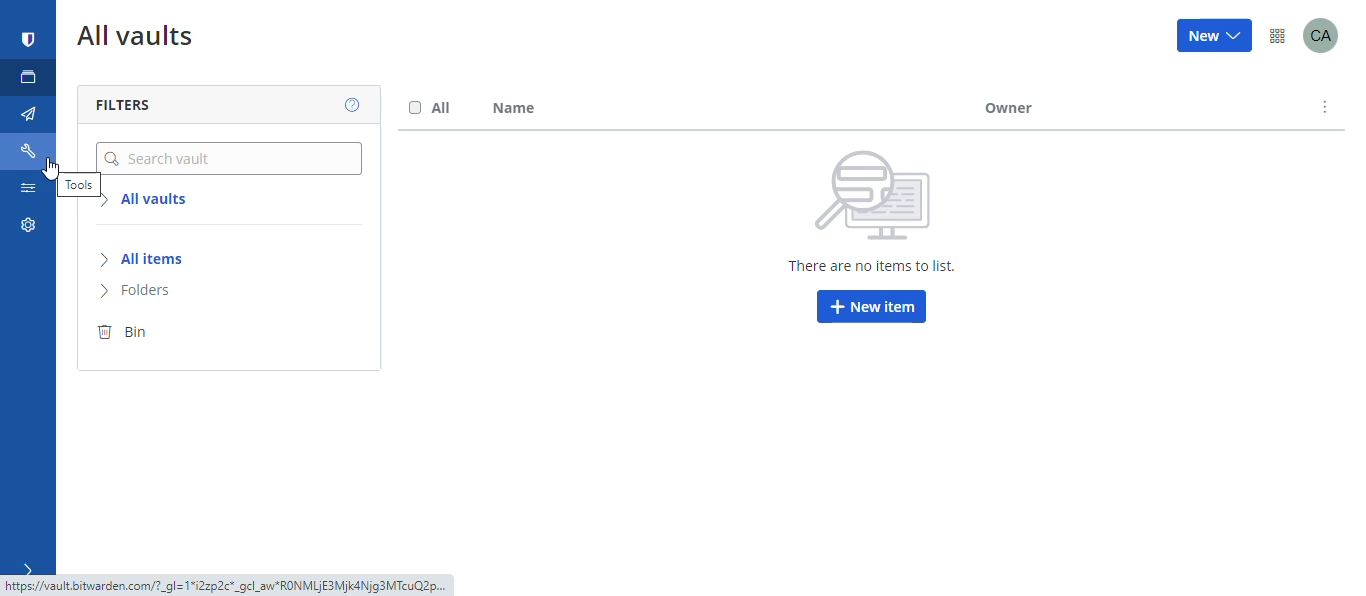 The width and height of the screenshot is (1366, 596). What do you see at coordinates (25, 229) in the screenshot?
I see `settings` at bounding box center [25, 229].